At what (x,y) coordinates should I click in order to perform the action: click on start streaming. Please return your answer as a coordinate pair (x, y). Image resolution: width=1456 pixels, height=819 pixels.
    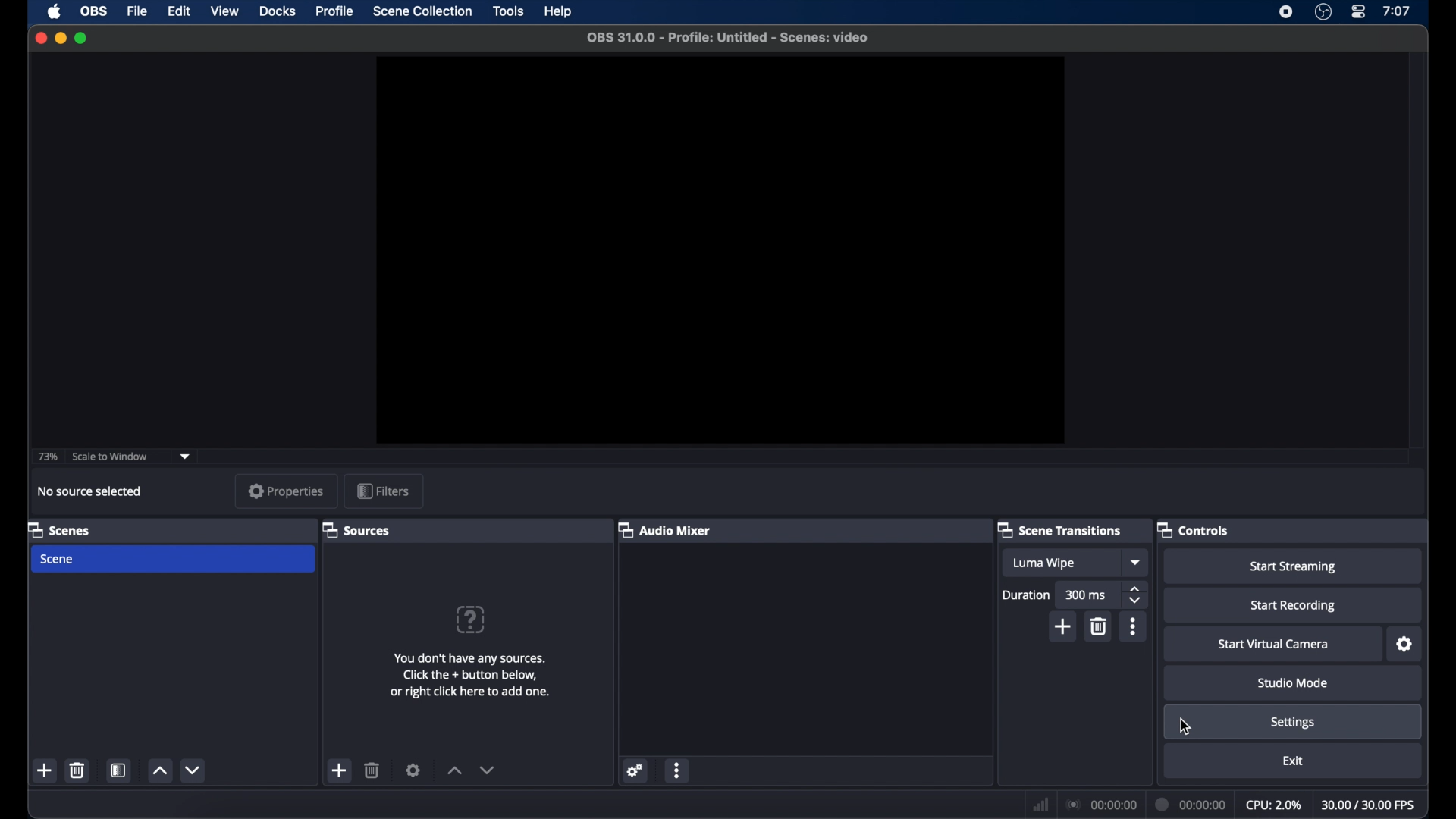
    Looking at the image, I should click on (1294, 567).